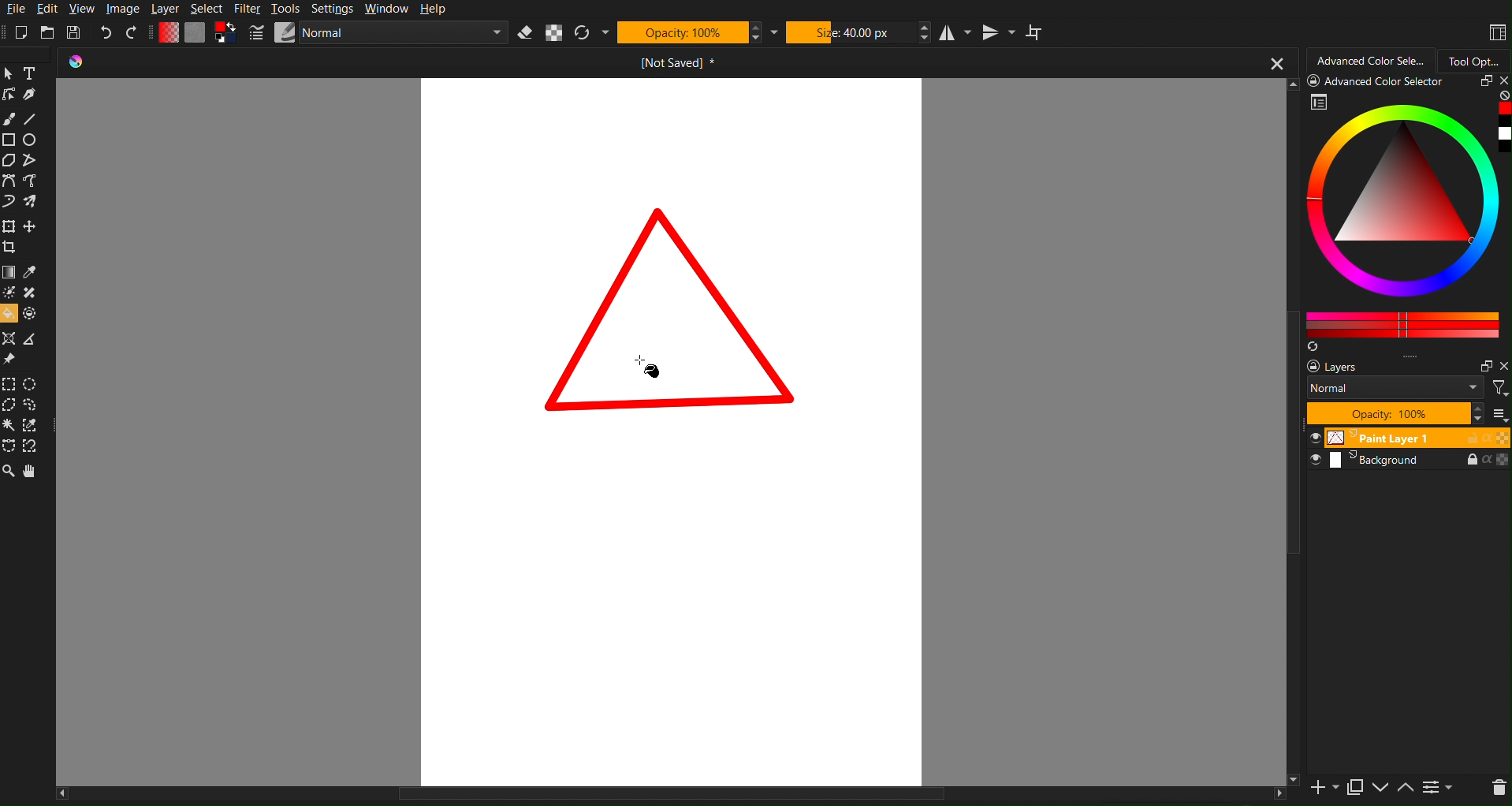 This screenshot has height=806, width=1512. Describe the element at coordinates (378, 34) in the screenshot. I see `Brush Settings` at that location.